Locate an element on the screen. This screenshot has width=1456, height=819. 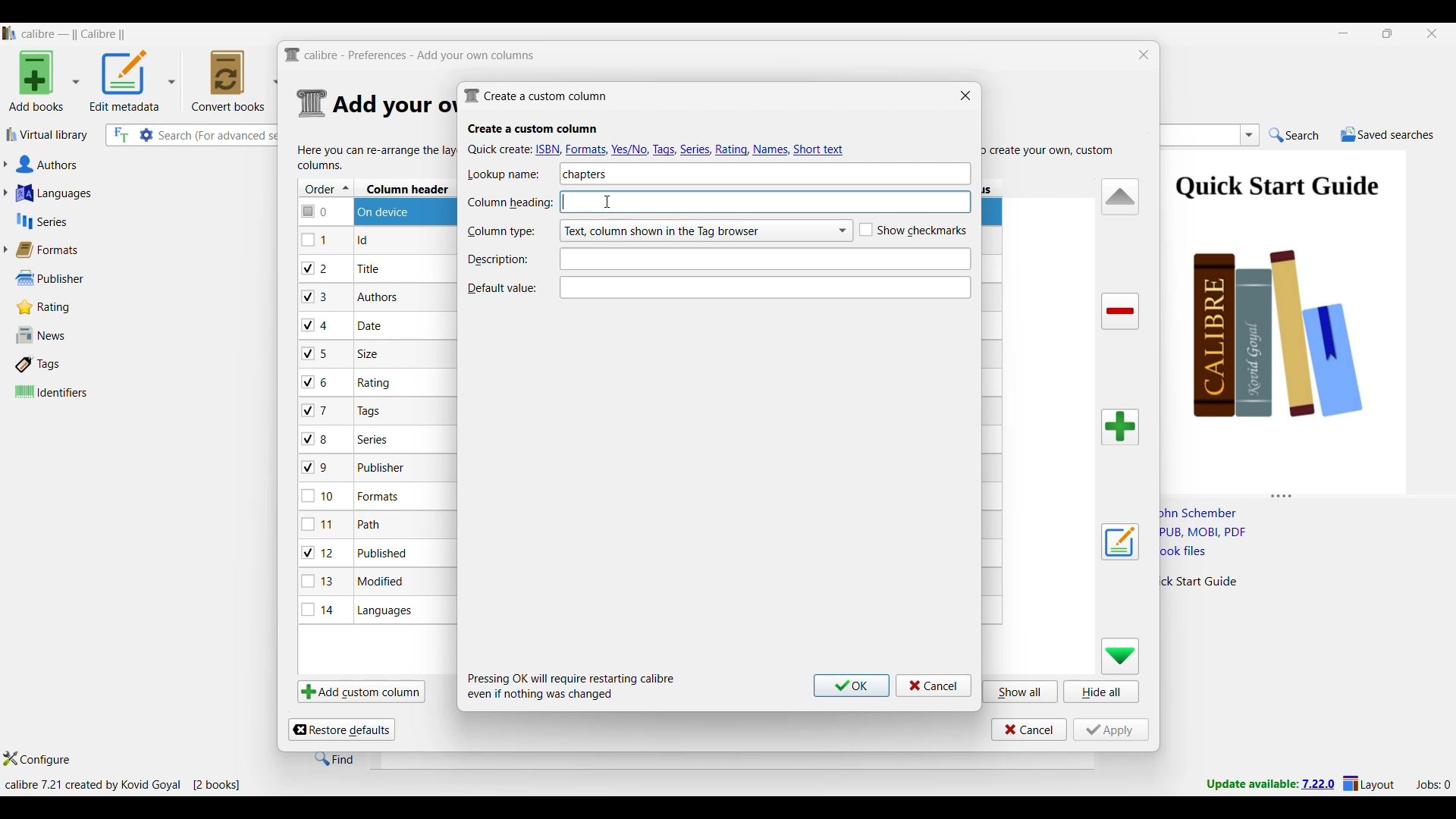
New version update notifcation is located at coordinates (1270, 783).